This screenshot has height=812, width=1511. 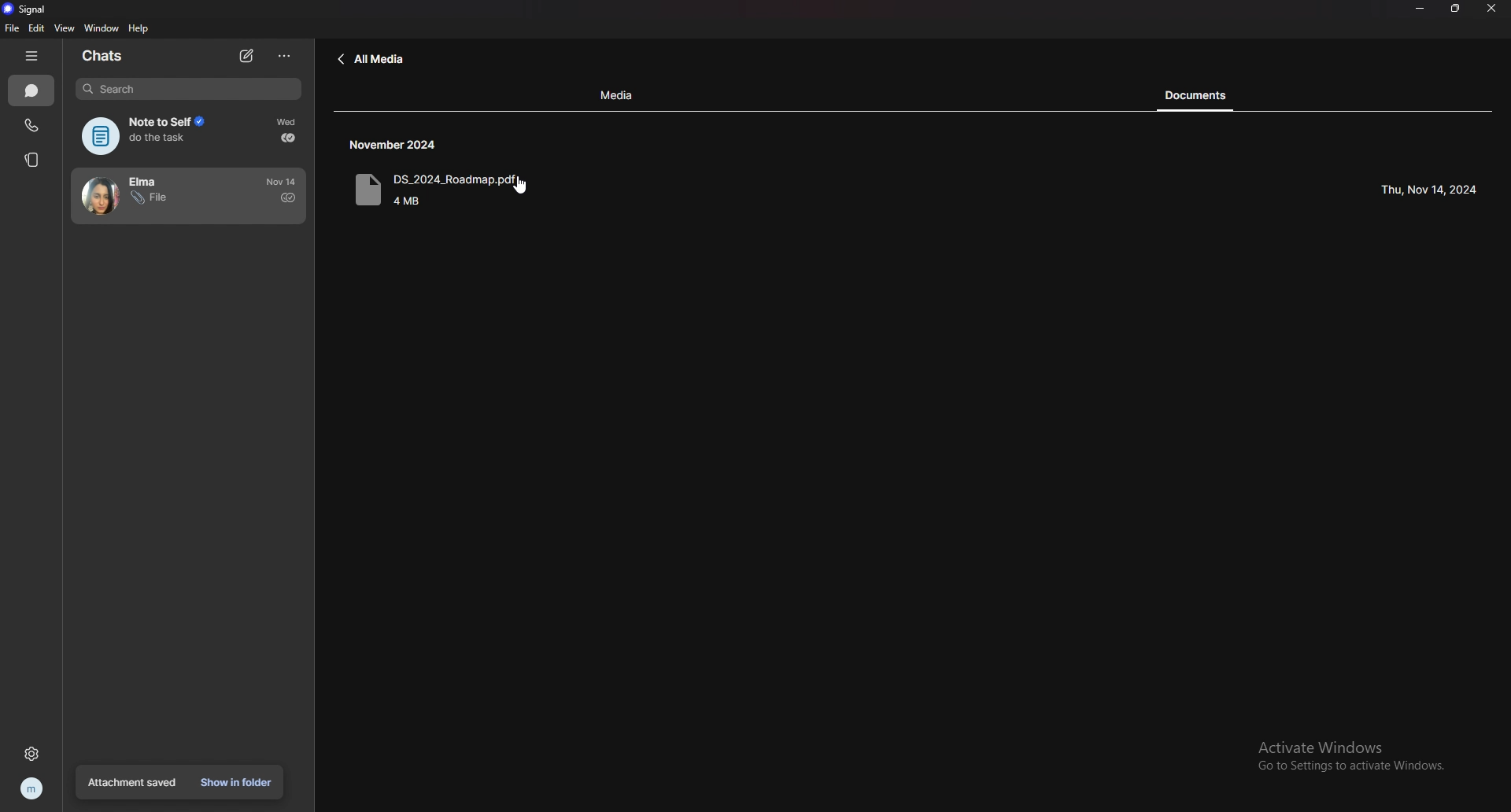 I want to click on minimize, so click(x=1422, y=8).